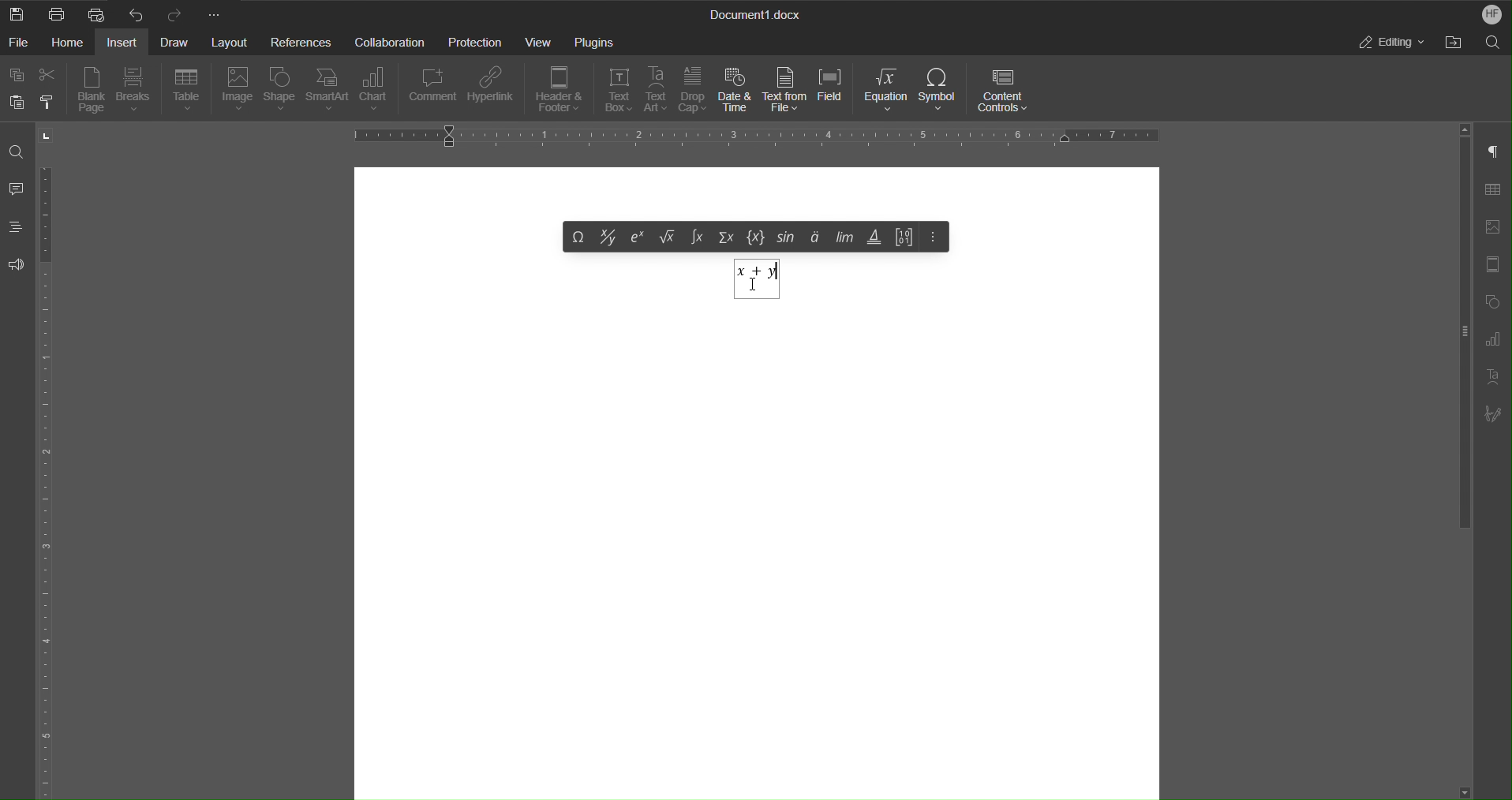 The width and height of the screenshot is (1512, 800). I want to click on Set, so click(756, 237).